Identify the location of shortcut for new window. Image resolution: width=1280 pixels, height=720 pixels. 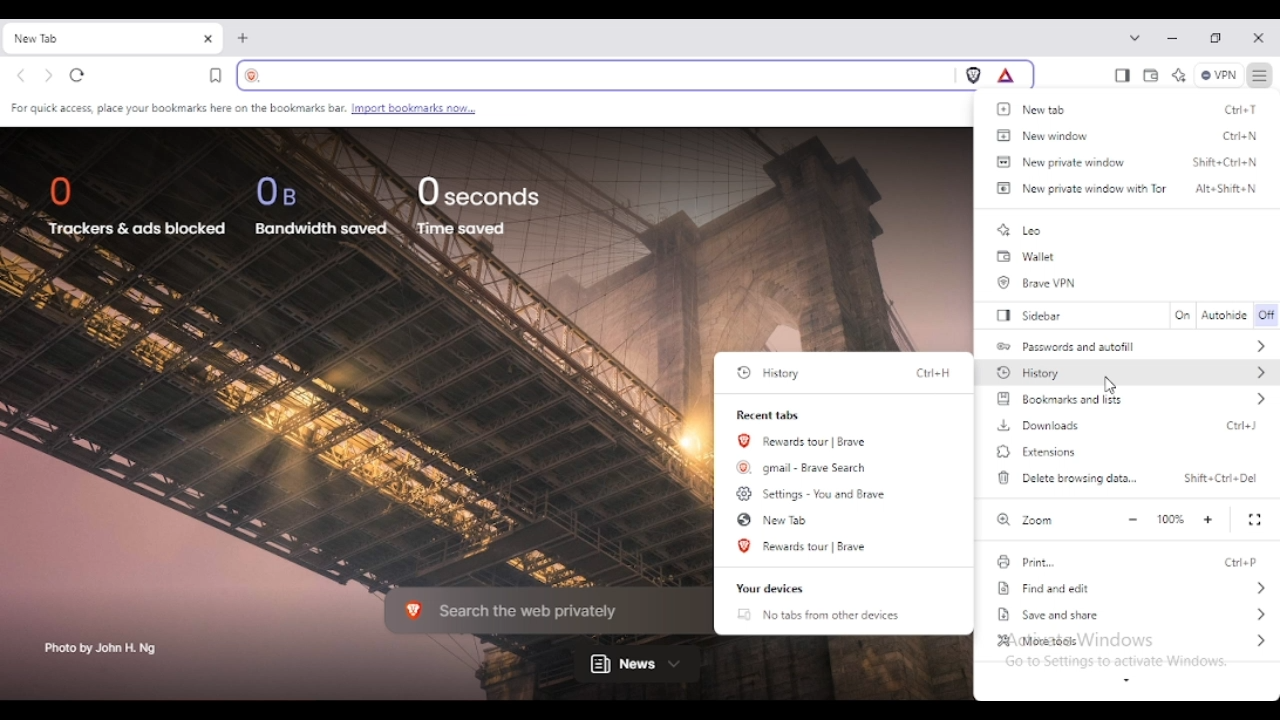
(1241, 137).